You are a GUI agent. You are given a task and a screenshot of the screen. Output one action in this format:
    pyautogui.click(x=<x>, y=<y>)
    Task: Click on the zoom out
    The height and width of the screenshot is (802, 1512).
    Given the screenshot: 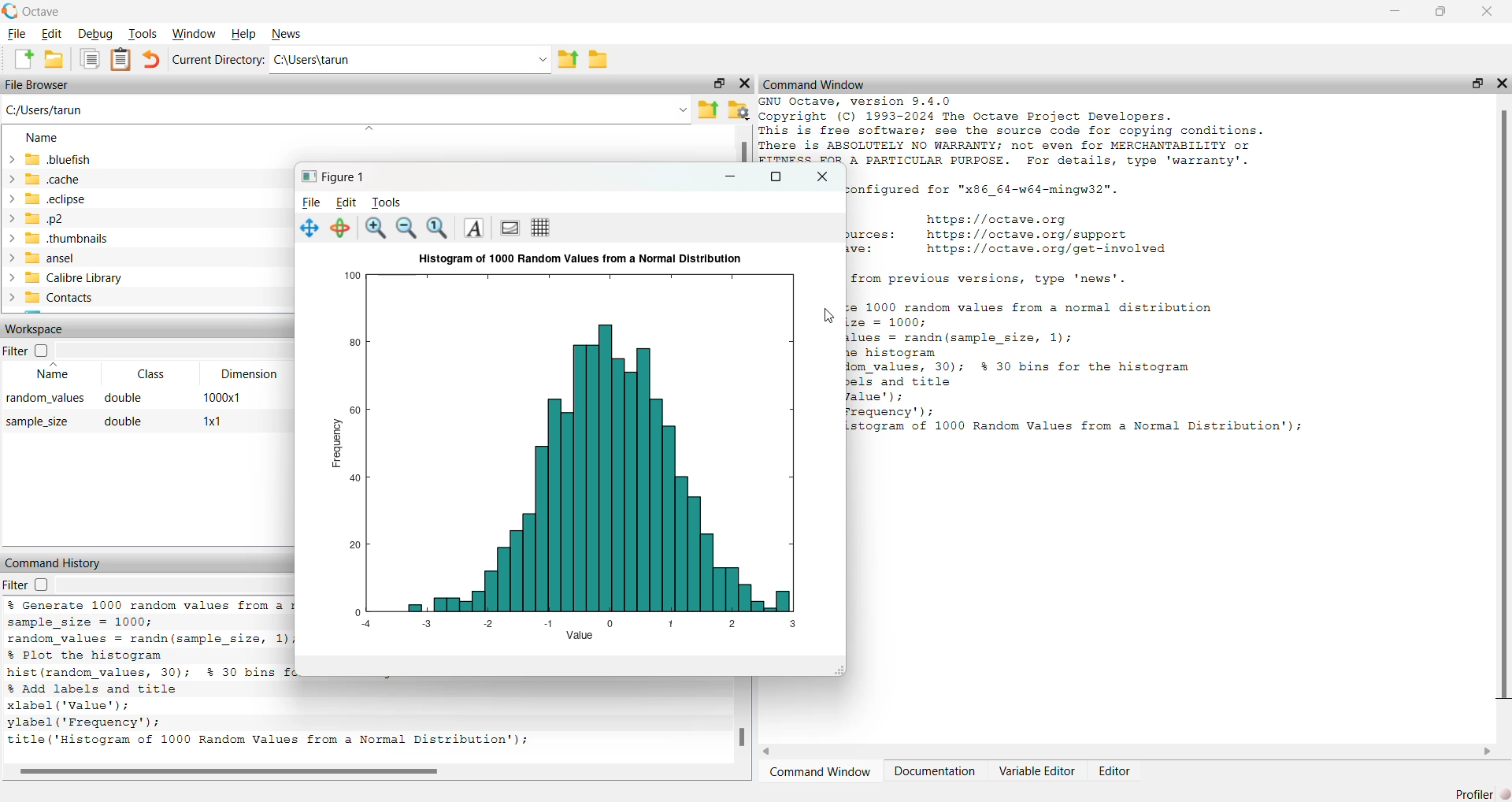 What is the action you would take?
    pyautogui.click(x=406, y=228)
    